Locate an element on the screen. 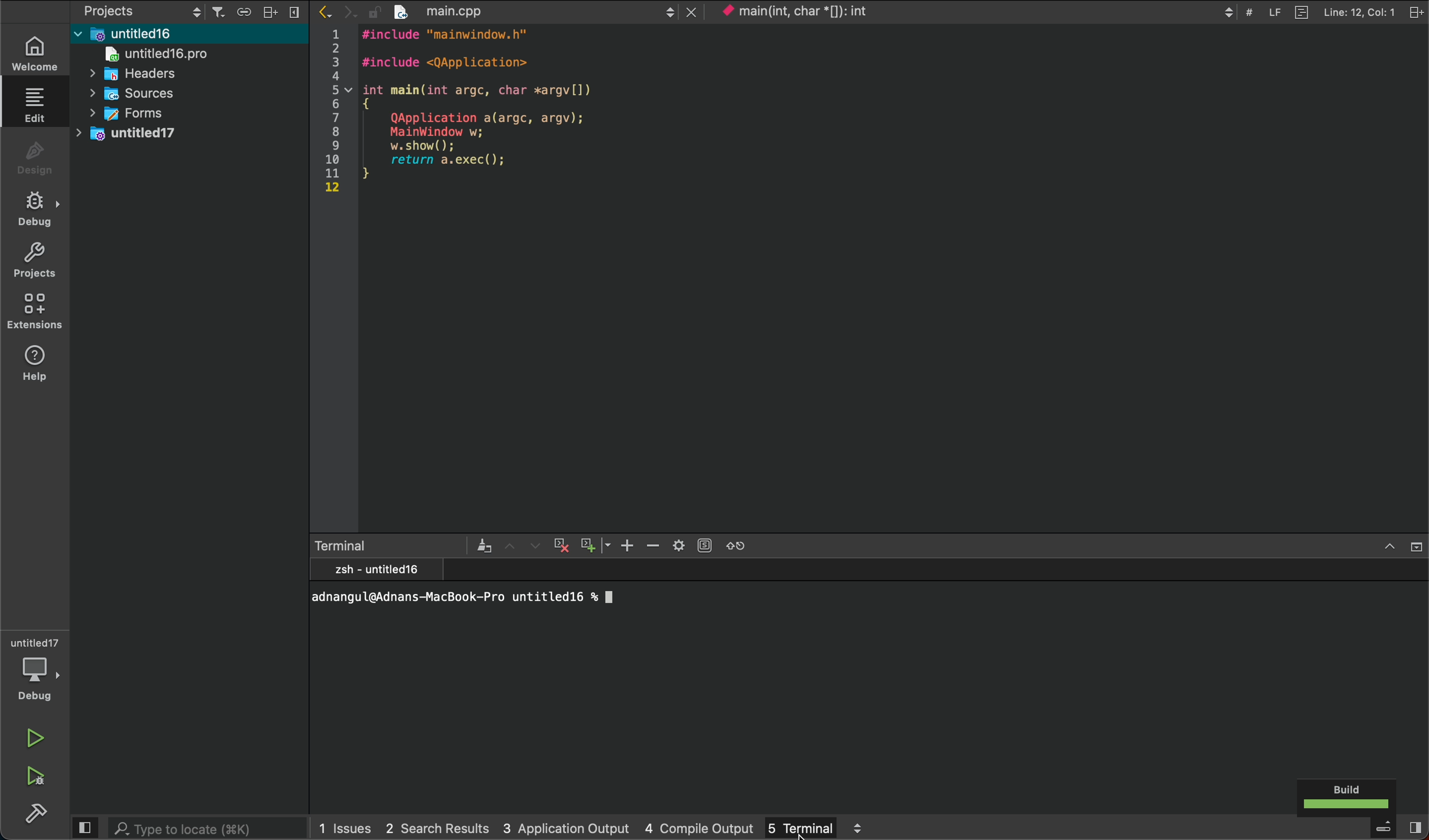  up/down is located at coordinates (667, 12).